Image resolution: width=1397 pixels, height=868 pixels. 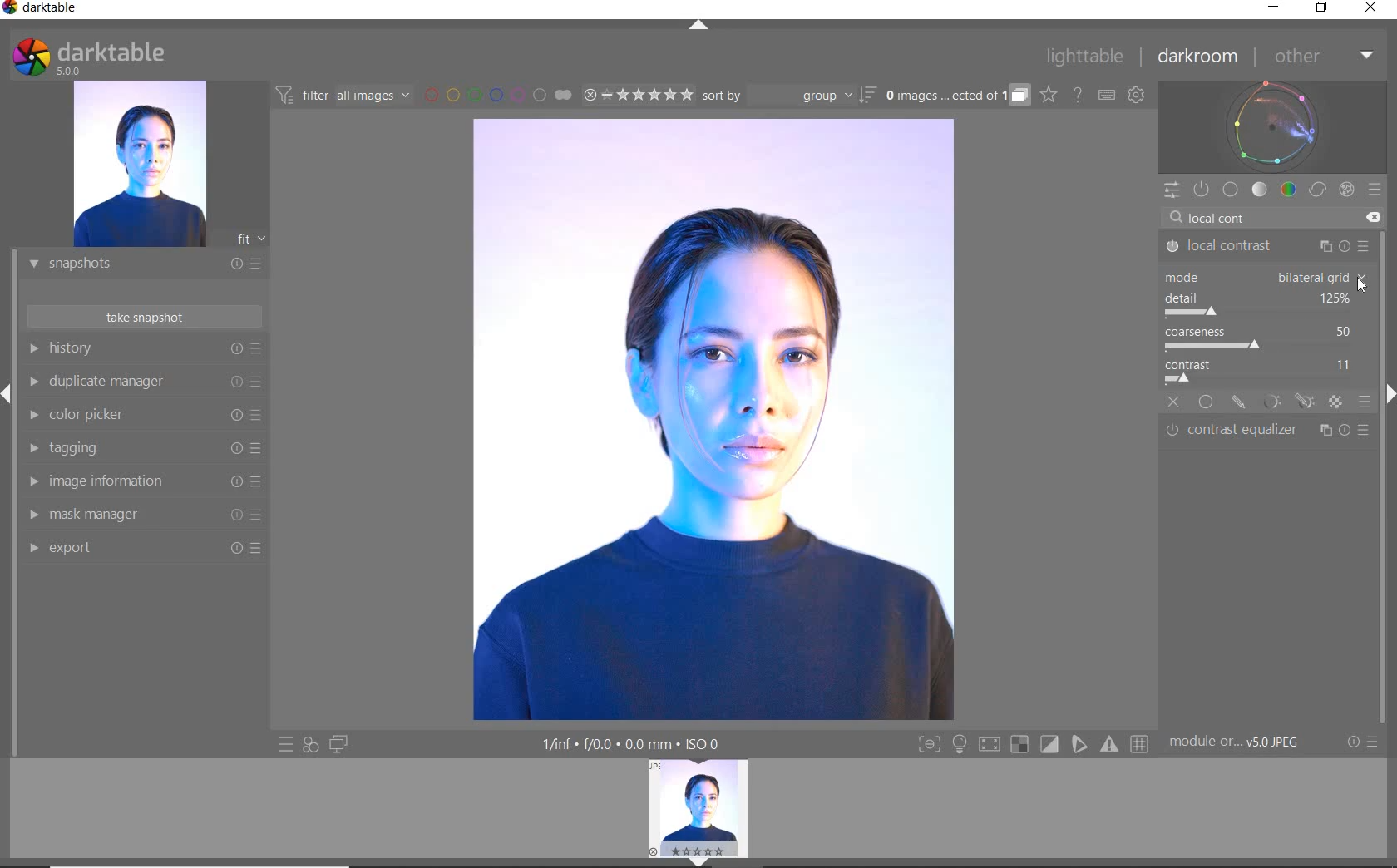 I want to click on Expand/Collapse, so click(x=8, y=394).